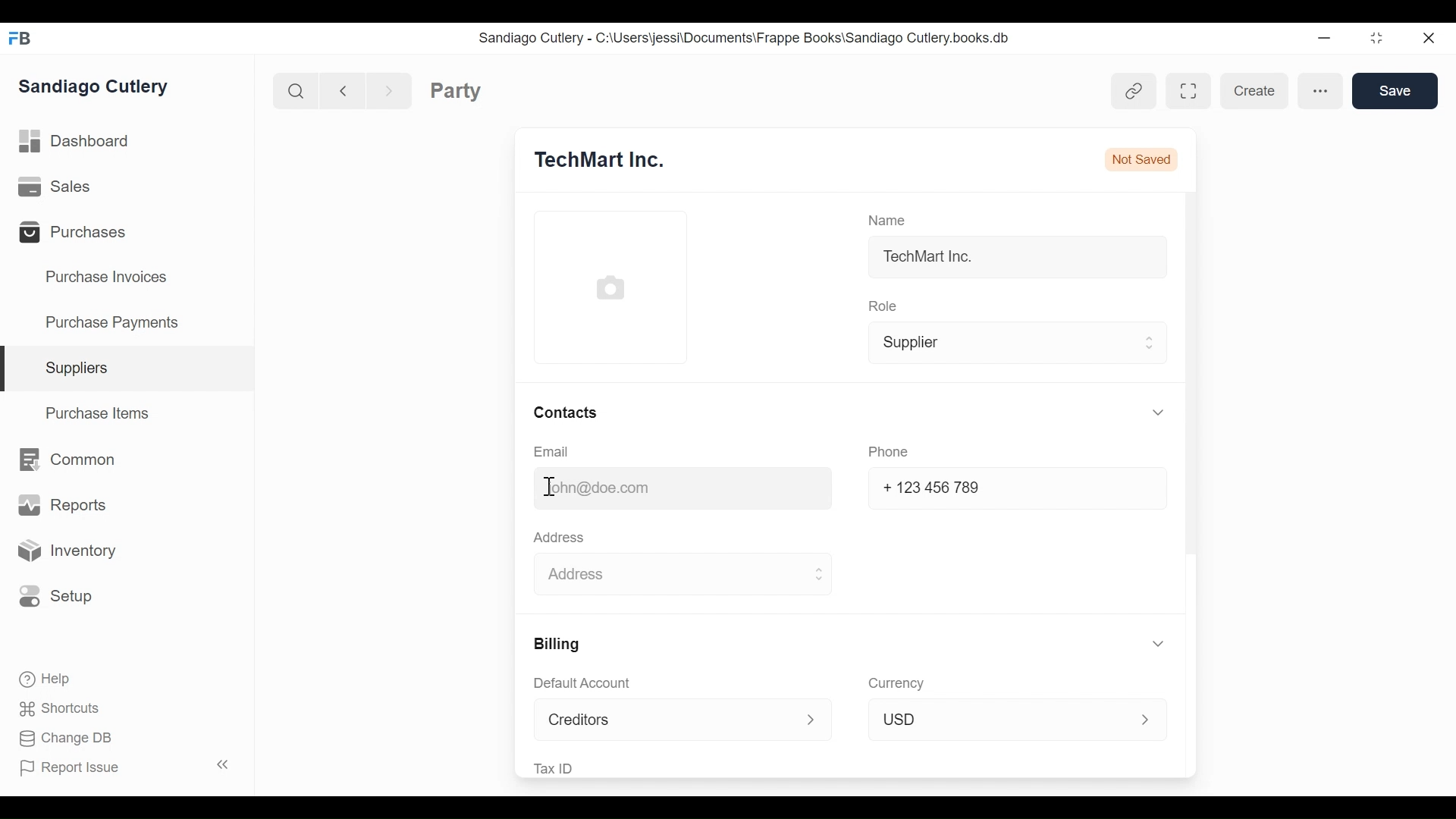  I want to click on Sandiago Cutlery - C:\Users\jessi\Documents\Frappe Books\Sandiago Cutlery.books.db, so click(758, 39).